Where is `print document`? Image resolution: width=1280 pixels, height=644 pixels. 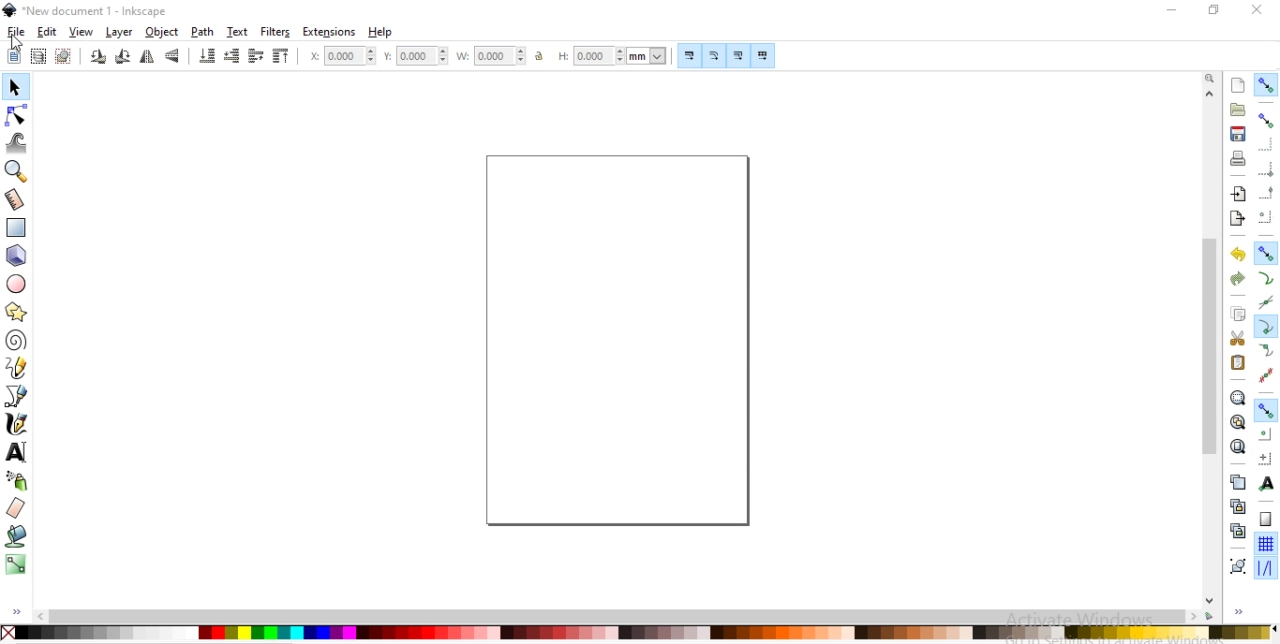
print document is located at coordinates (1236, 158).